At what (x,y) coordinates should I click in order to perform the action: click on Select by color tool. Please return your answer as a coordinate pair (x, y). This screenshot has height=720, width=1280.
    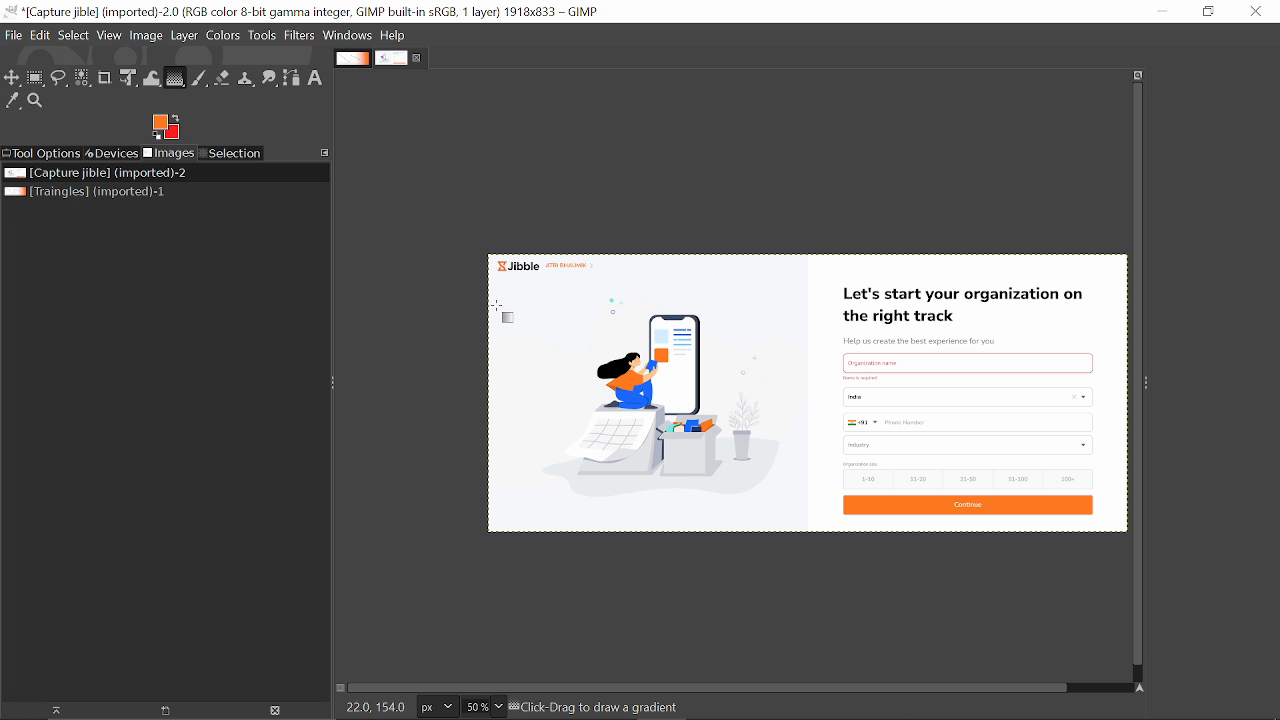
    Looking at the image, I should click on (83, 77).